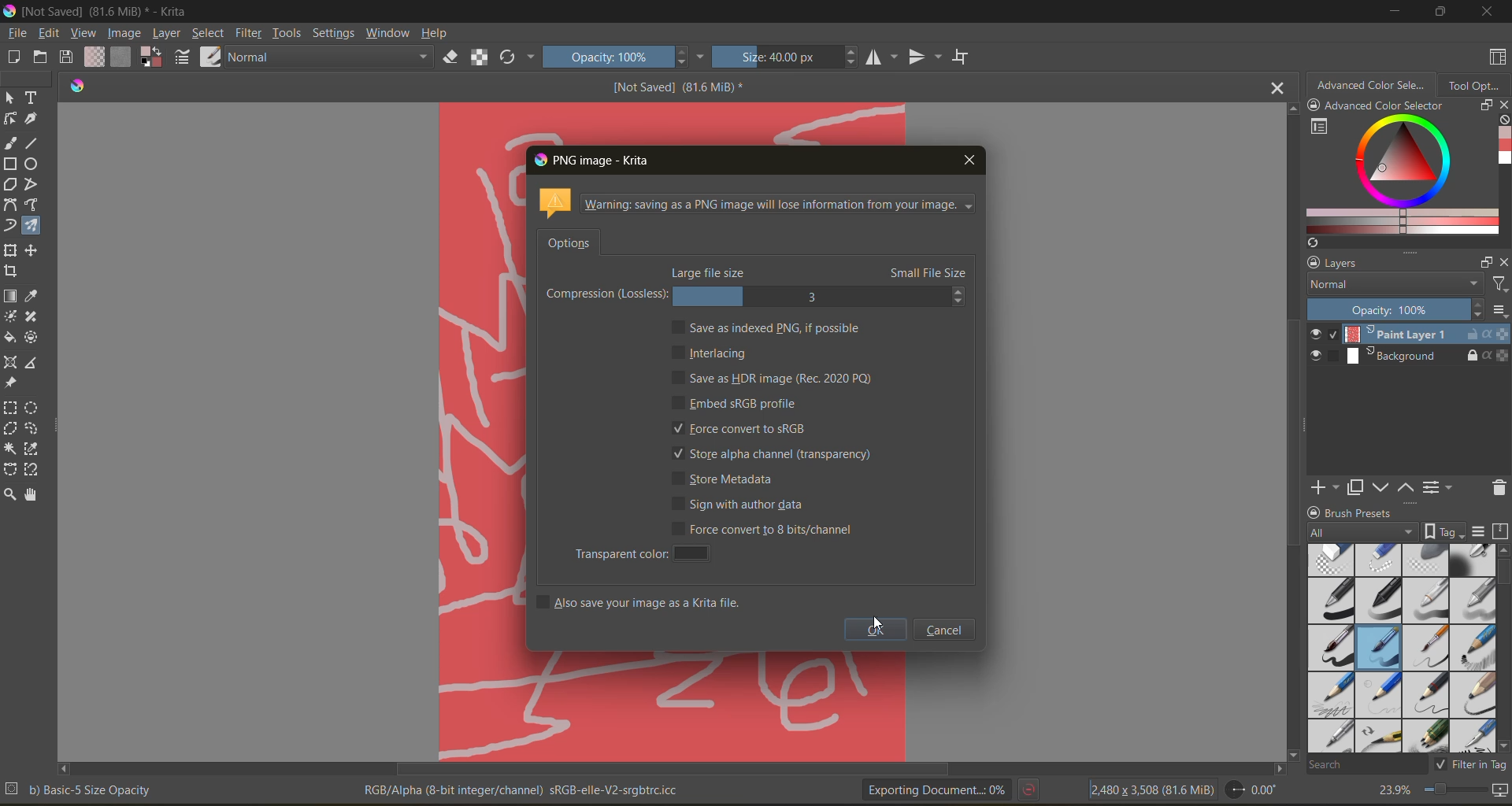 Image resolution: width=1512 pixels, height=806 pixels. What do you see at coordinates (31, 338) in the screenshot?
I see `tool` at bounding box center [31, 338].